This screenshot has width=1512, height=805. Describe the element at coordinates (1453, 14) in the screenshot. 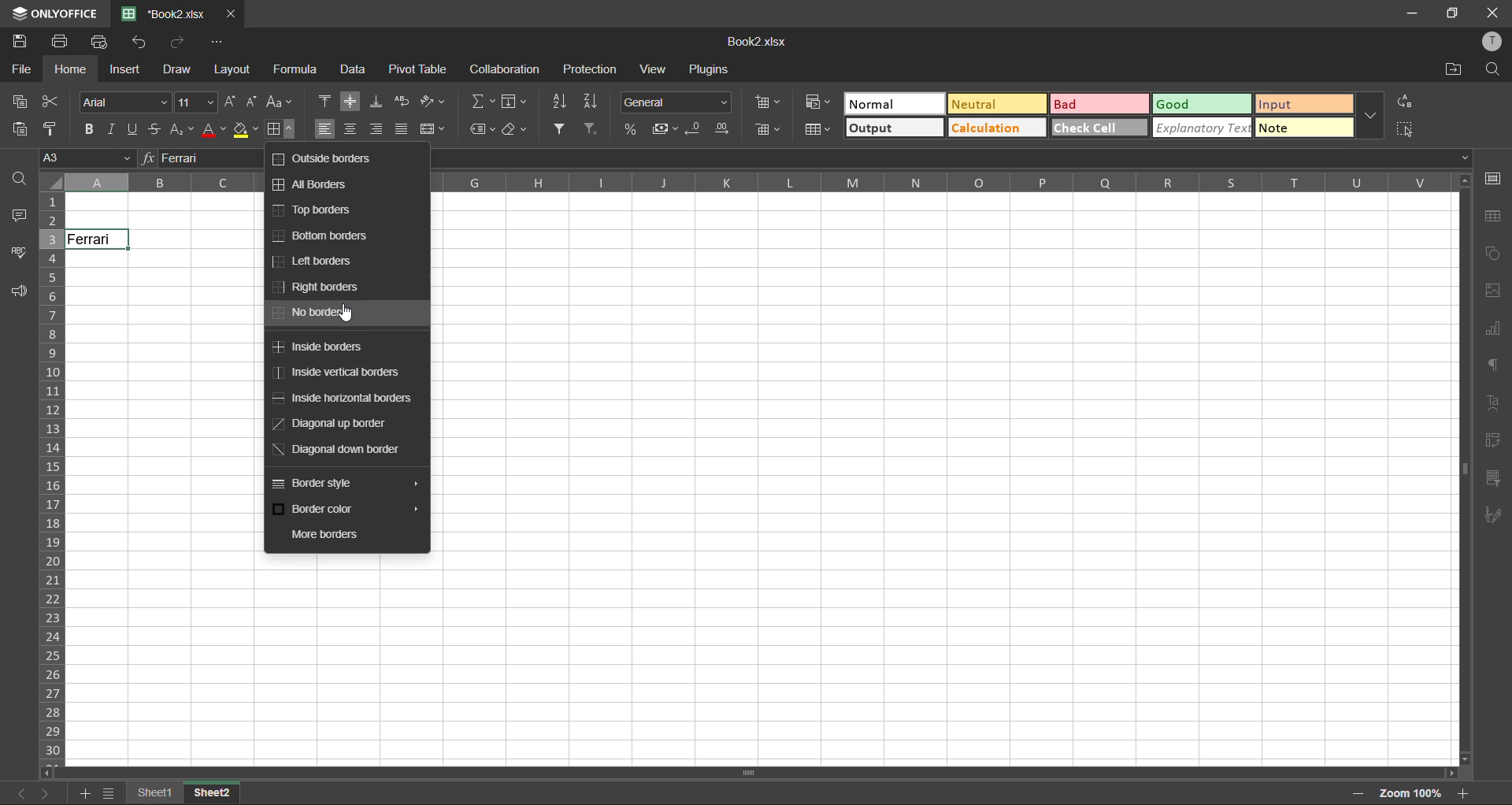

I see `maximize` at that location.